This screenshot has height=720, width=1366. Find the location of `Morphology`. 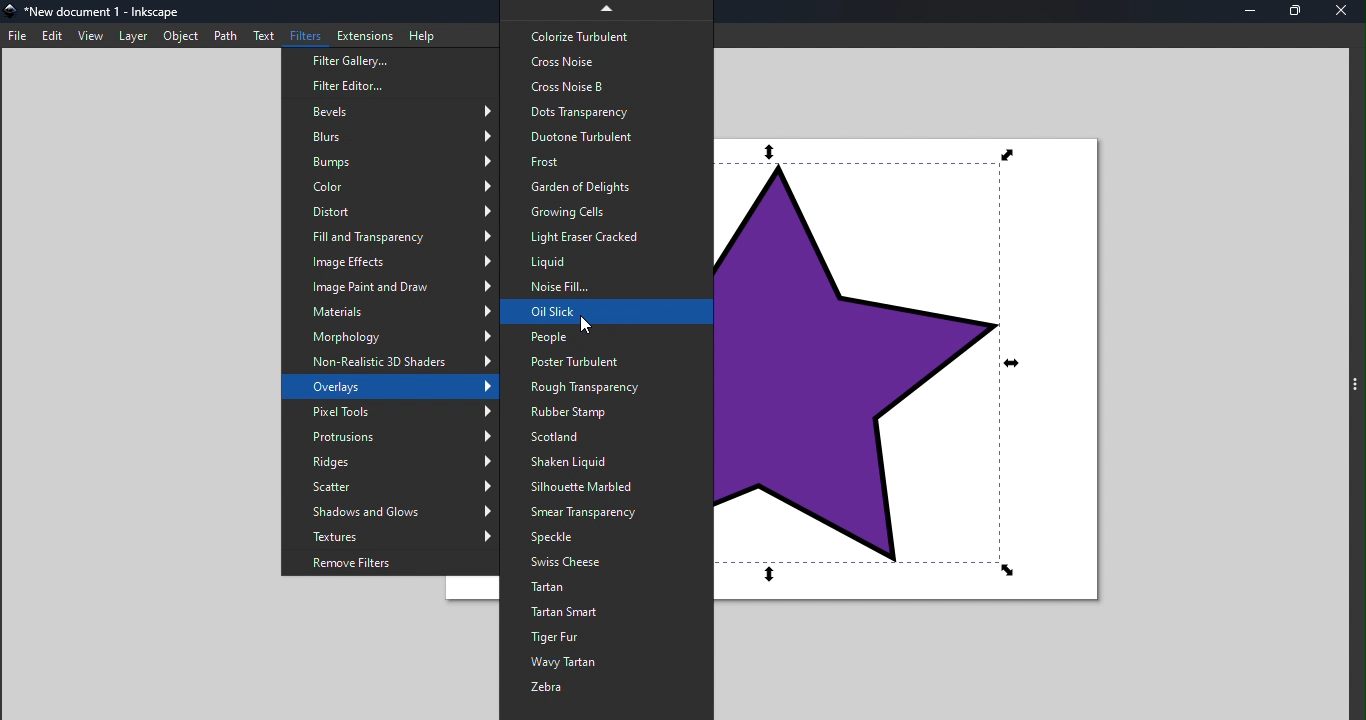

Morphology is located at coordinates (393, 339).